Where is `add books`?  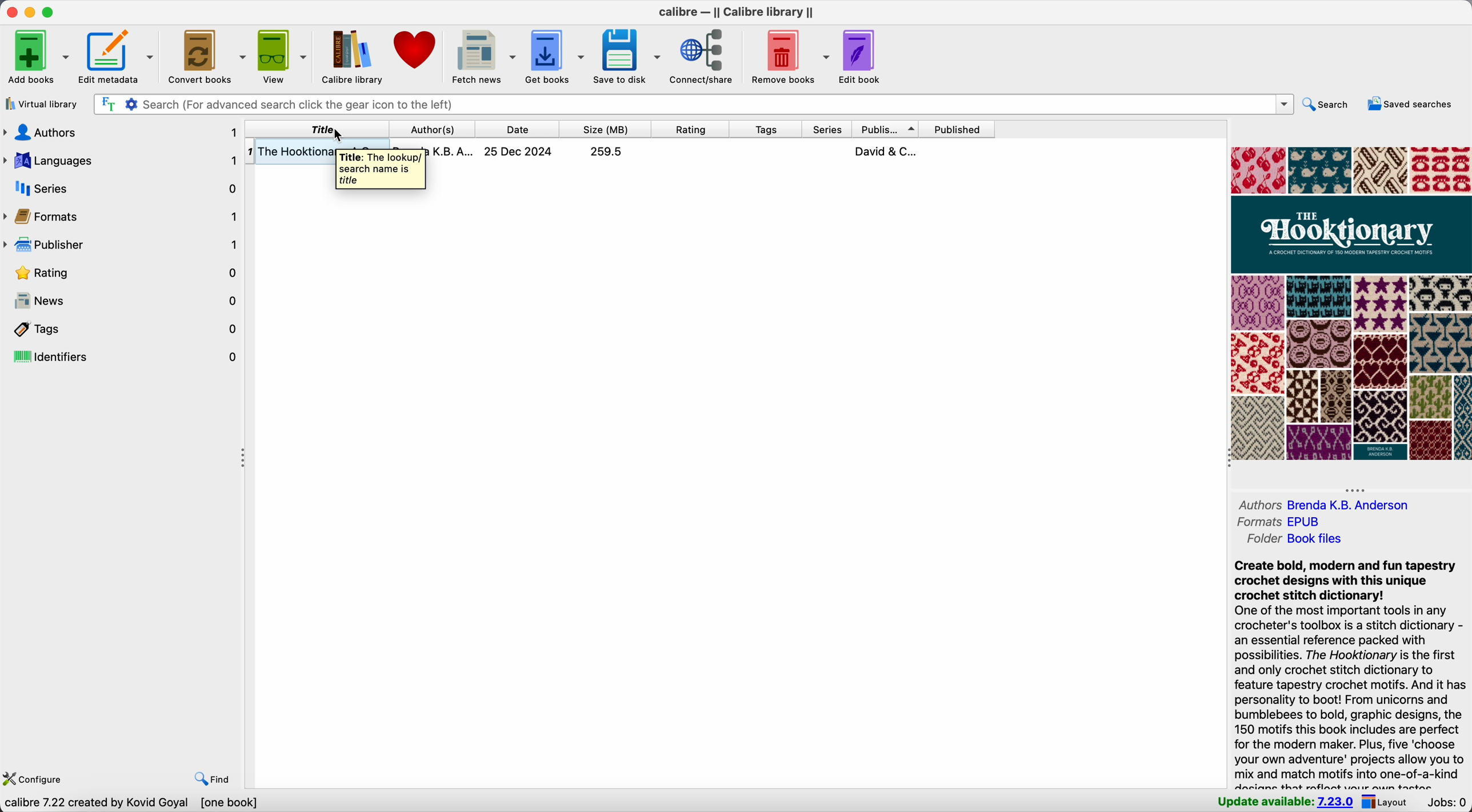
add books is located at coordinates (37, 56).